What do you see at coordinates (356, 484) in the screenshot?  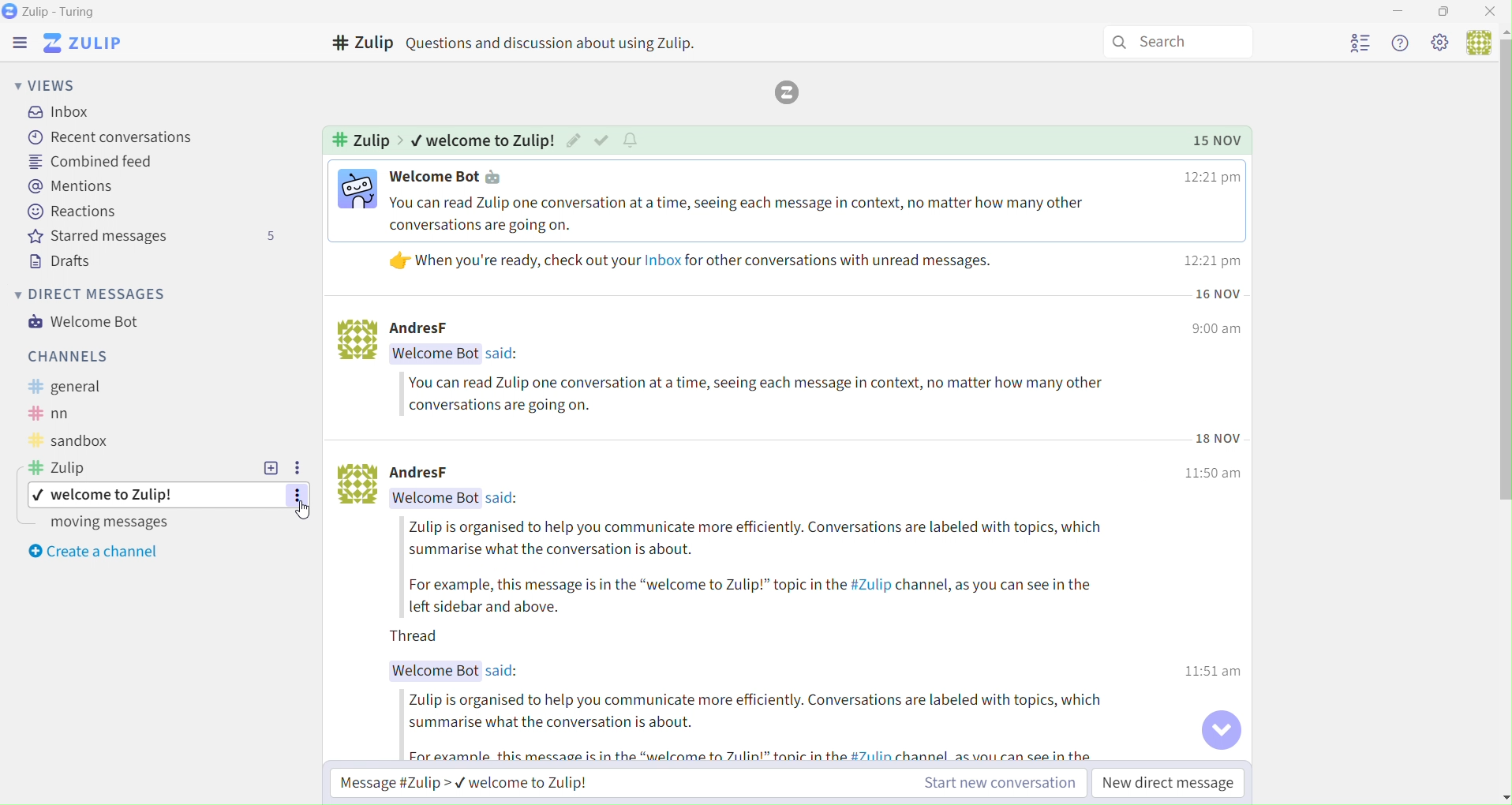 I see `Image` at bounding box center [356, 484].